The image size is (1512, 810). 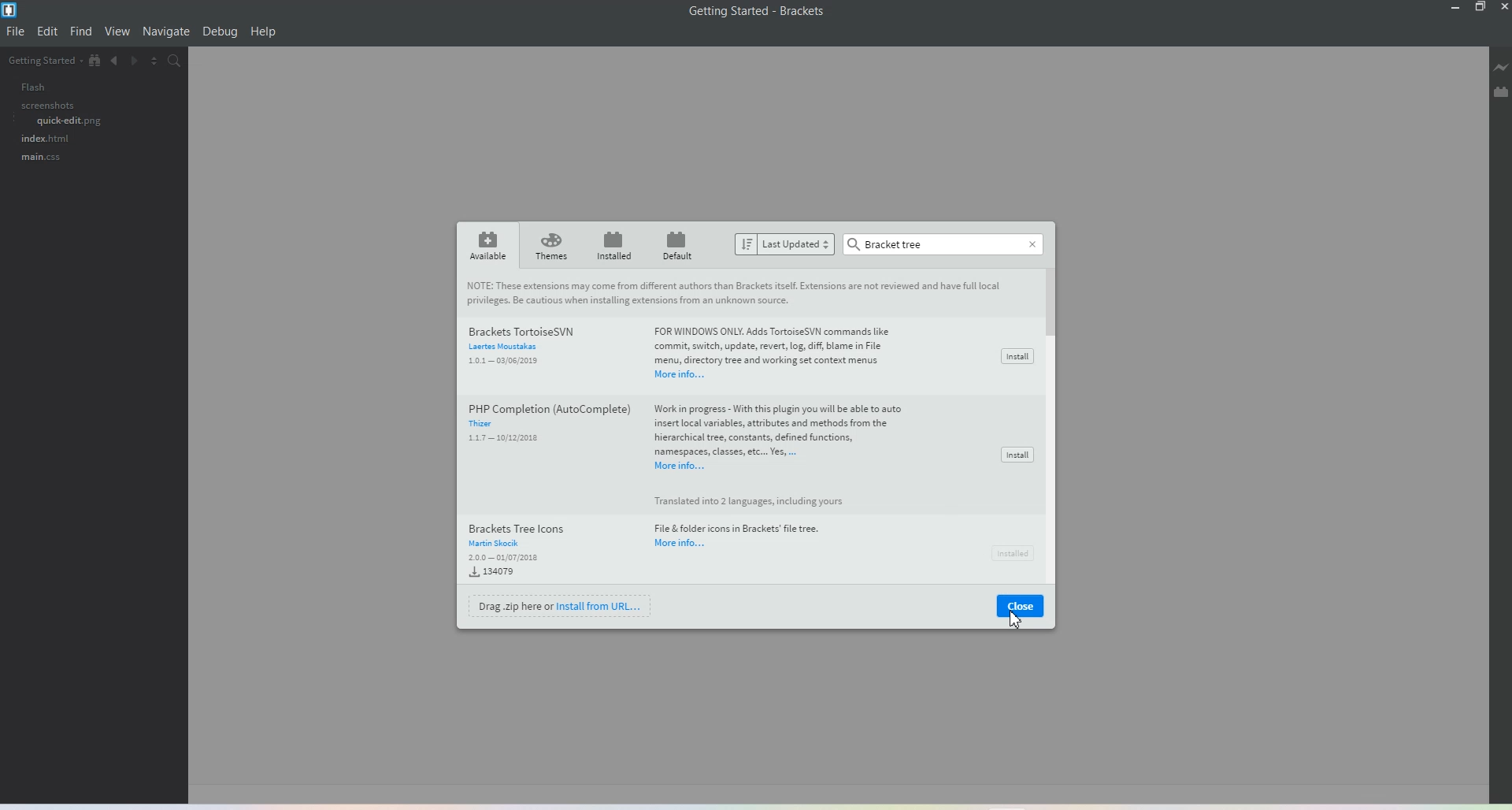 What do you see at coordinates (166, 32) in the screenshot?
I see `Navigate` at bounding box center [166, 32].